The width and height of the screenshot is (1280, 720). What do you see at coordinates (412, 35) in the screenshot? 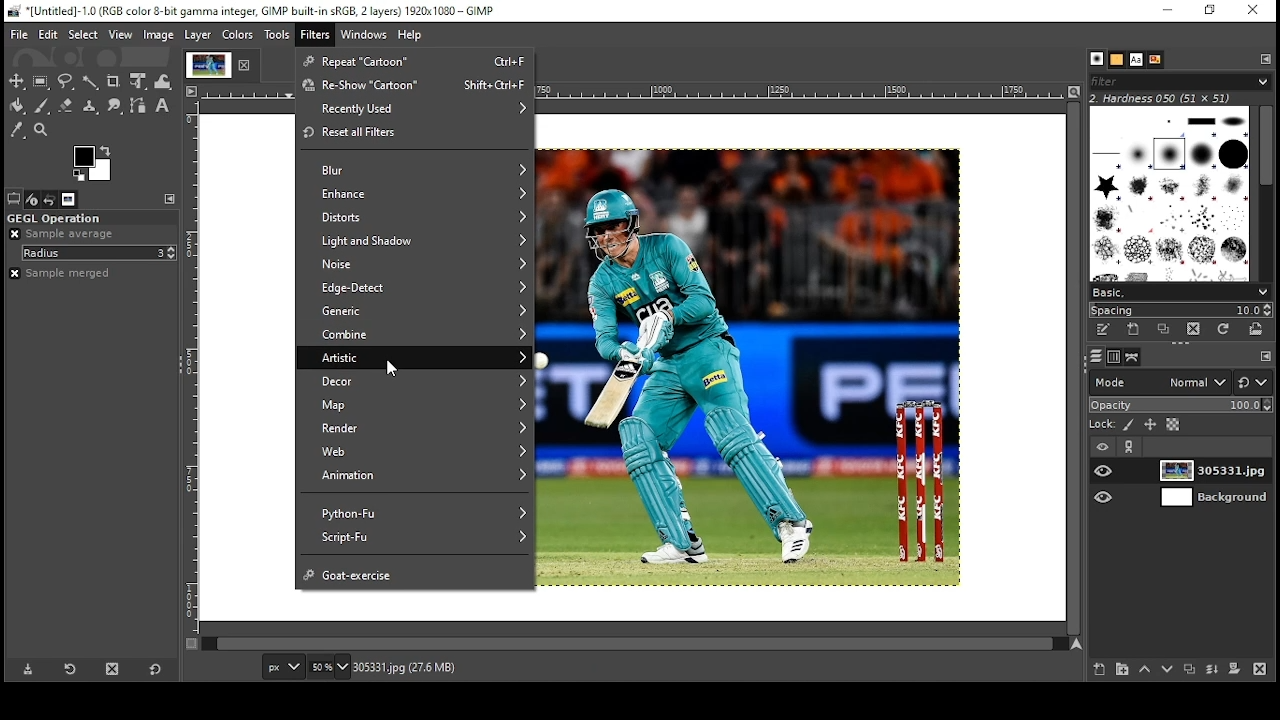
I see `help` at bounding box center [412, 35].